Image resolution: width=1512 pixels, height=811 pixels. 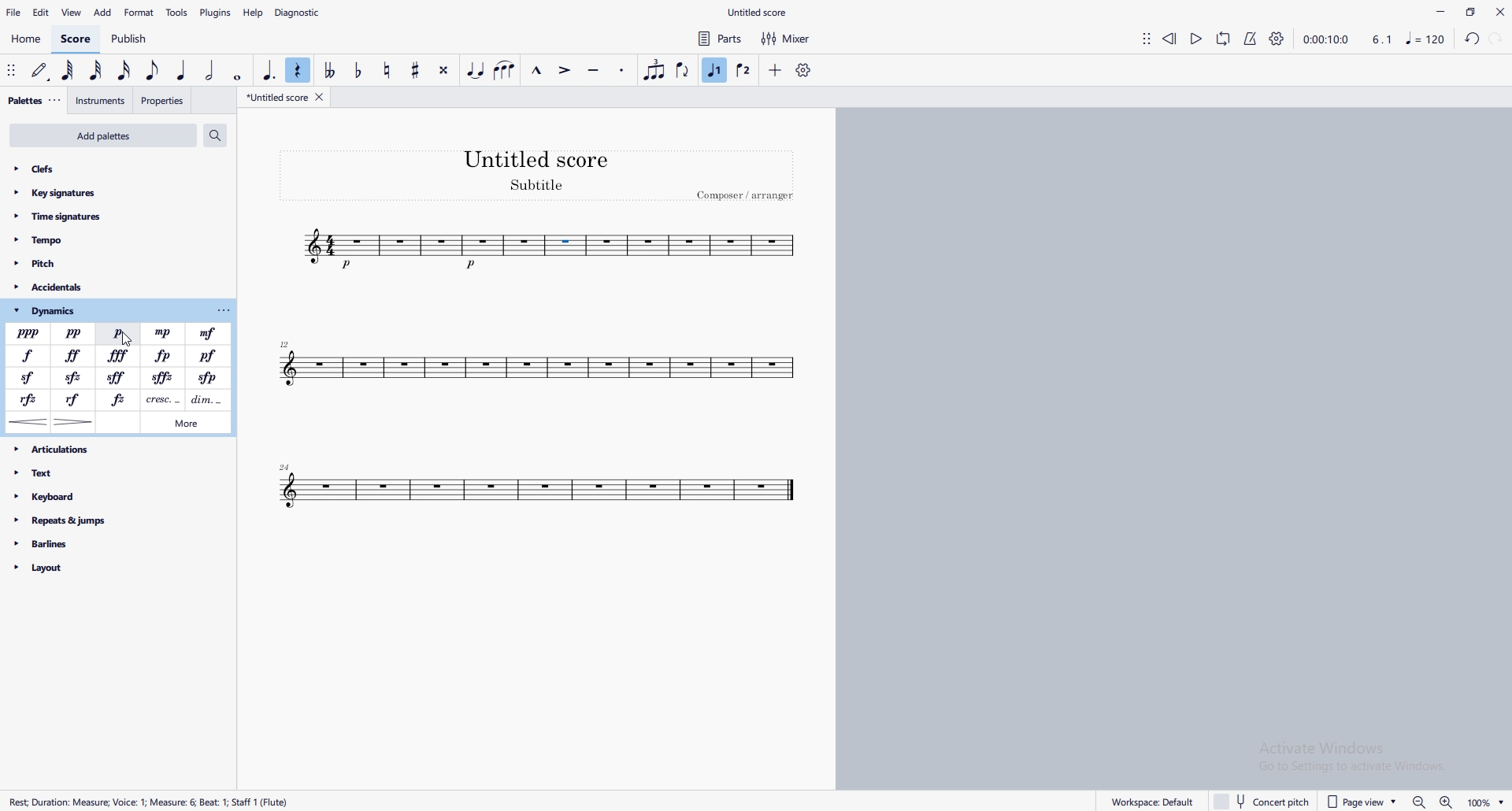 What do you see at coordinates (775, 71) in the screenshot?
I see `add` at bounding box center [775, 71].